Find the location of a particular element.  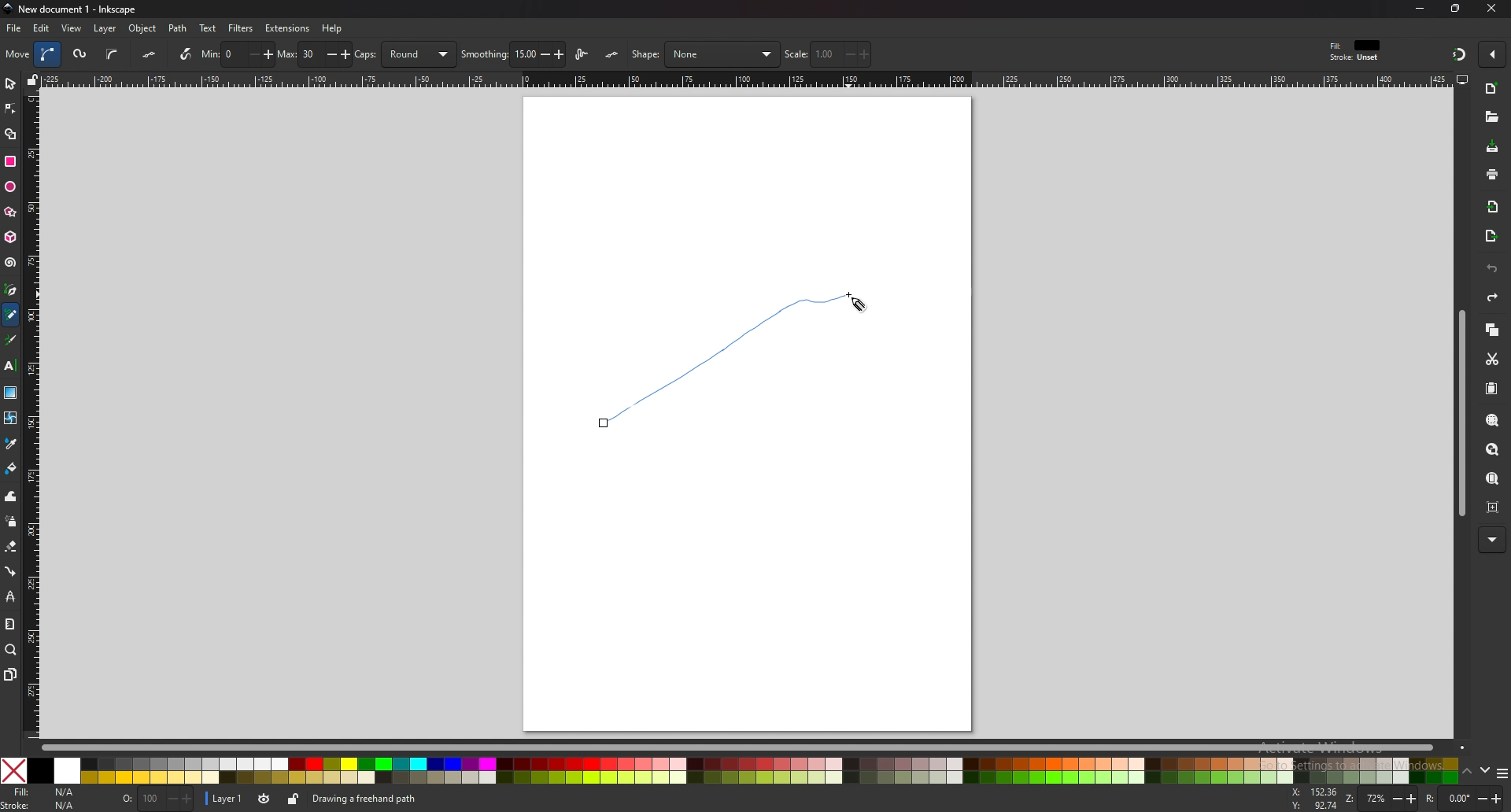

zoom is located at coordinates (1382, 798).